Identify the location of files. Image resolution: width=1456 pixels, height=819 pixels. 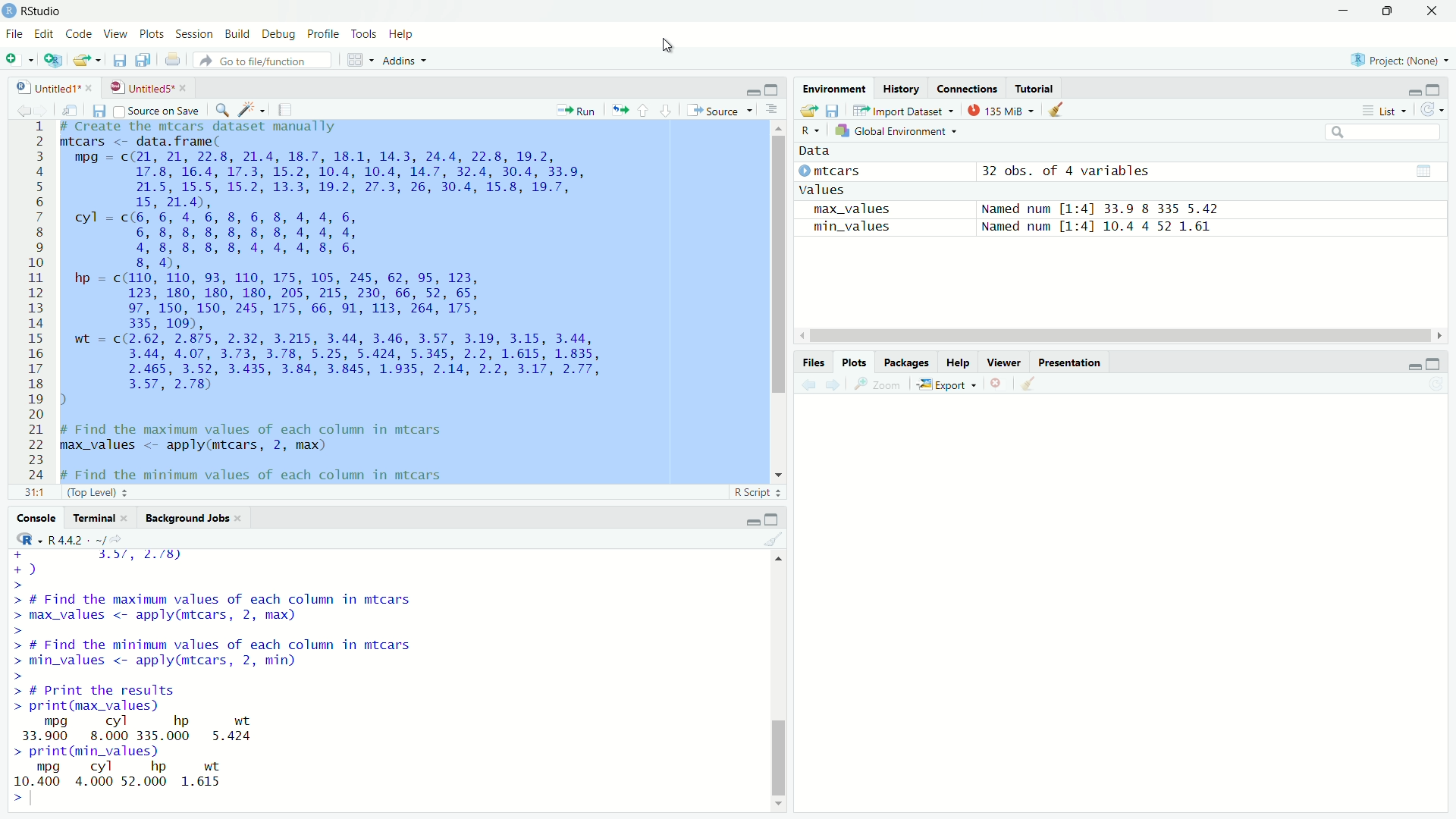
(103, 112).